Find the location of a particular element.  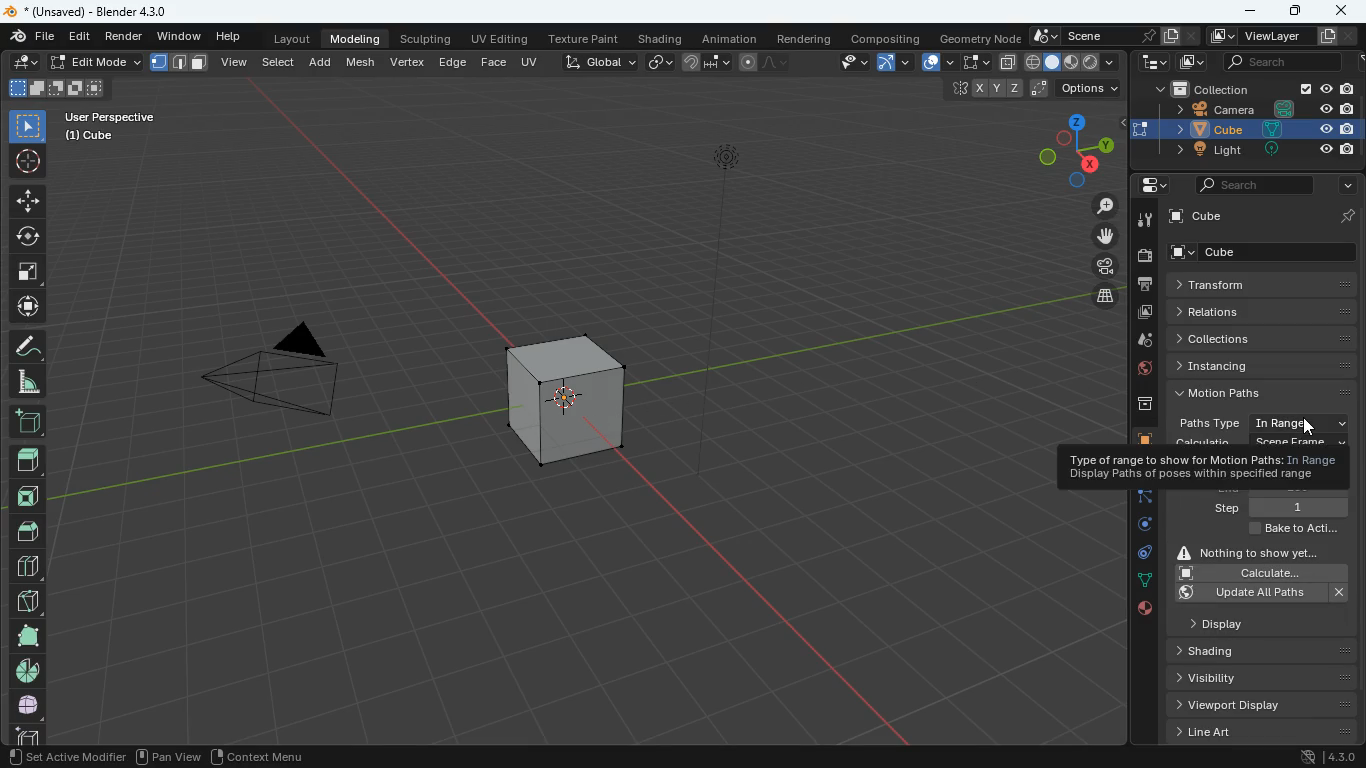

move is located at coordinates (25, 307).